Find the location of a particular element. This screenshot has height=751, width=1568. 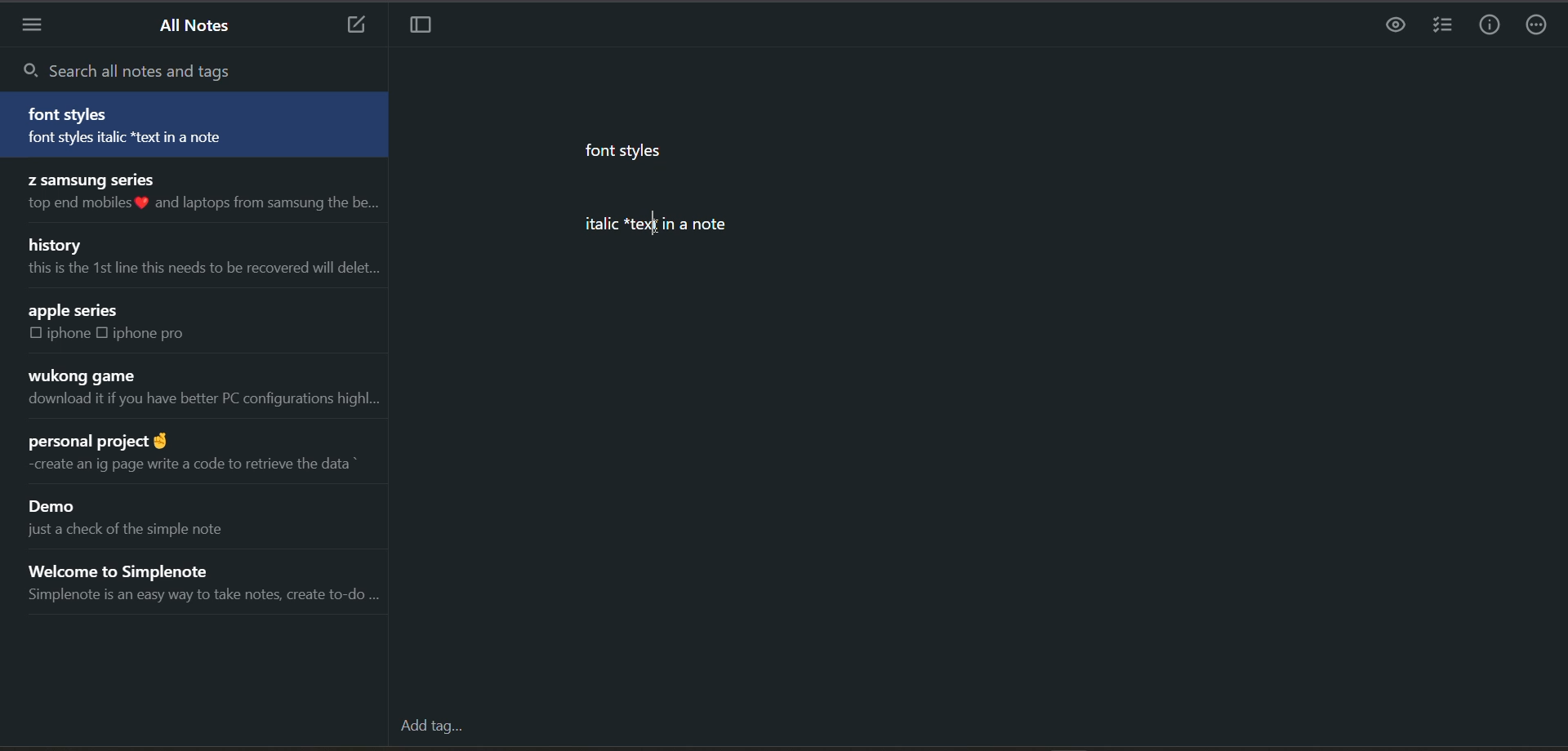

note title and preview is located at coordinates (210, 583).